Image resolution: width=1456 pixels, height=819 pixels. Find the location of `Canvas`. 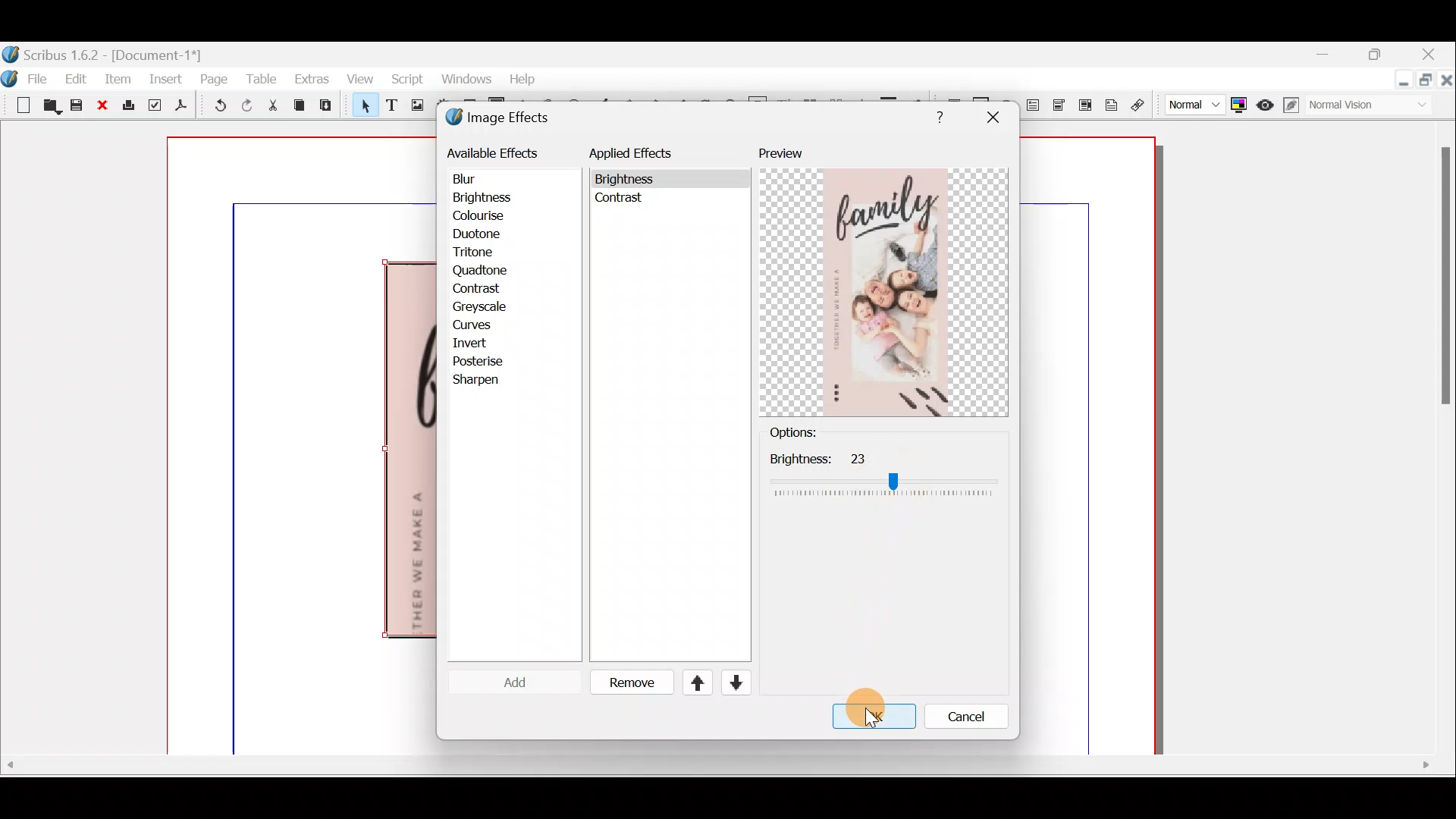

Canvas is located at coordinates (303, 447).